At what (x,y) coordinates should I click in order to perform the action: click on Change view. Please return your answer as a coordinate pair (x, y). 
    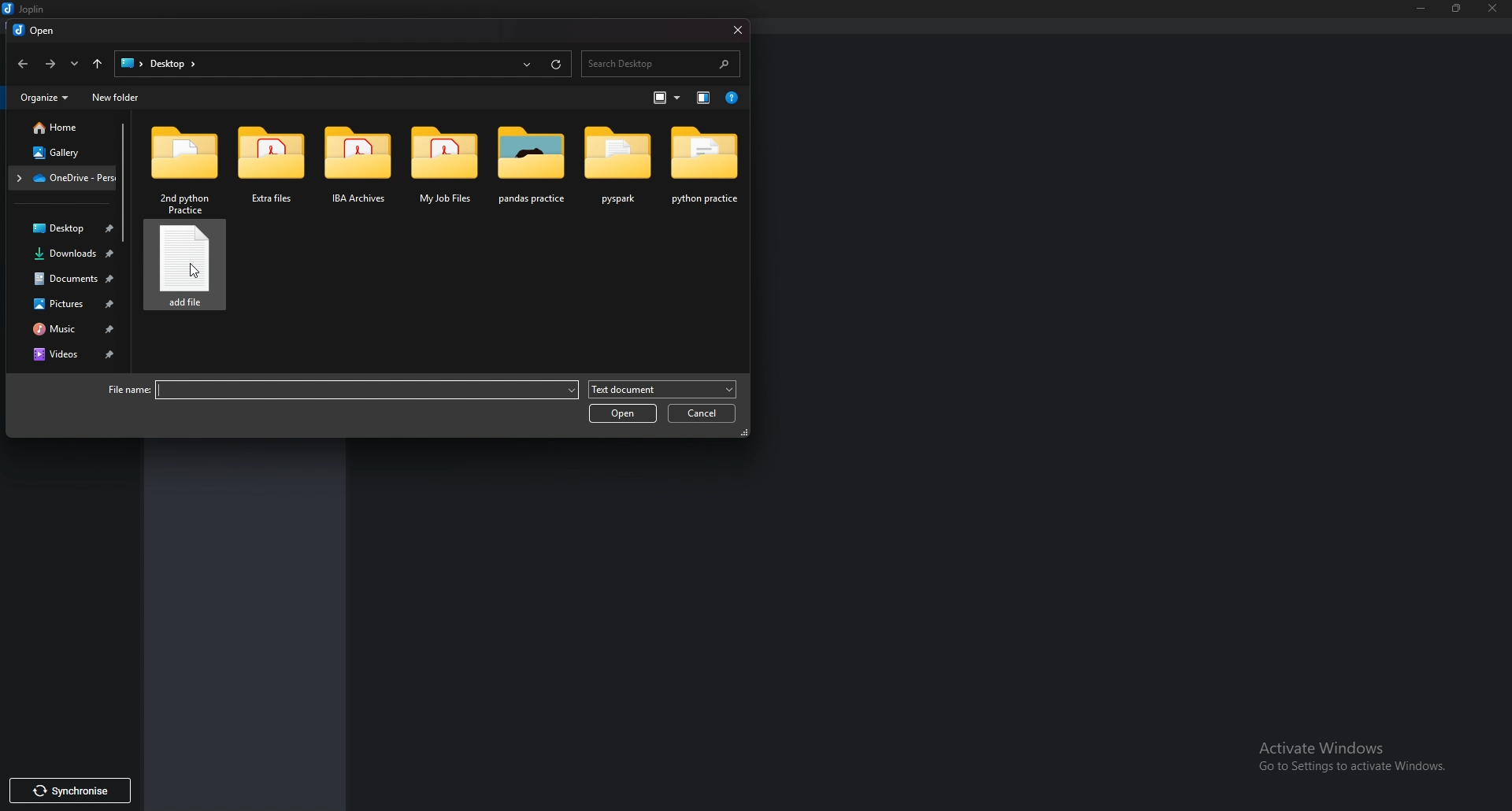
    Looking at the image, I should click on (667, 98).